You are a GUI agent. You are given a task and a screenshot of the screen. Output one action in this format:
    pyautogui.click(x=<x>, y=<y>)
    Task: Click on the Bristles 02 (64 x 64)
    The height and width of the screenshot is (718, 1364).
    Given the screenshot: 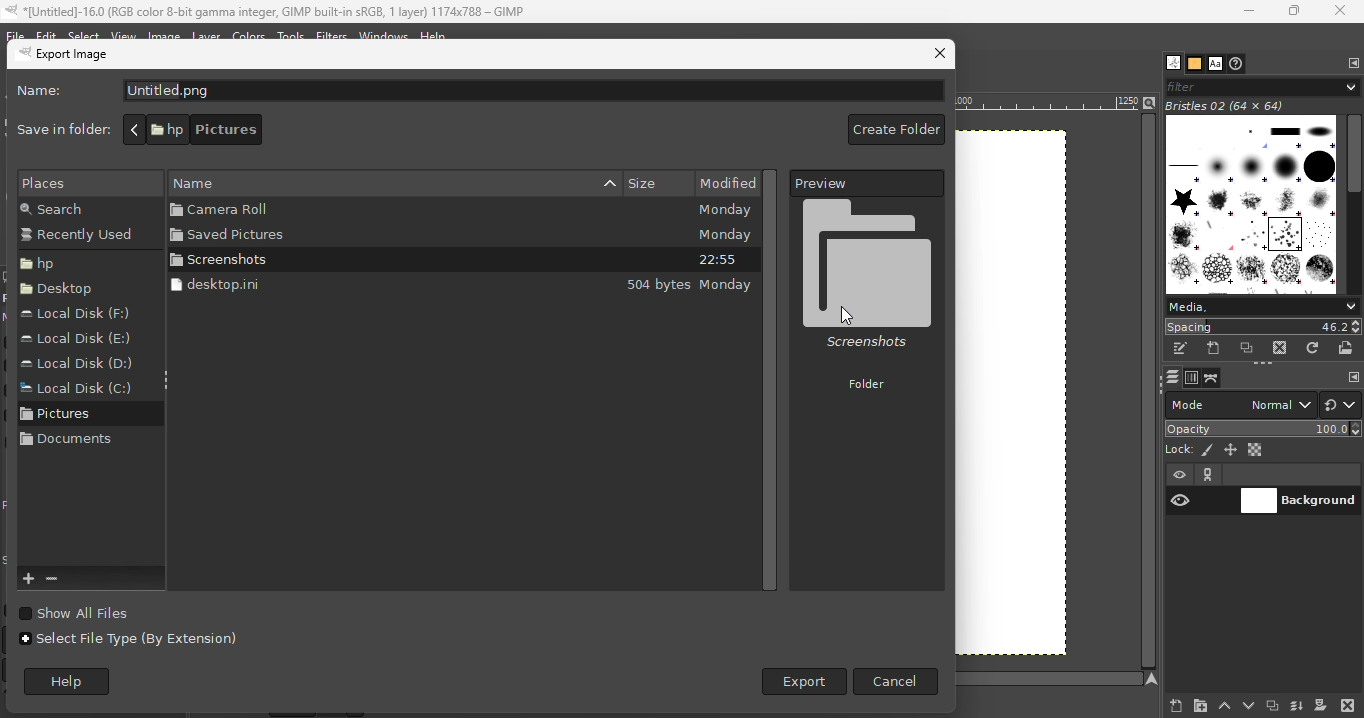 What is the action you would take?
    pyautogui.click(x=1229, y=106)
    